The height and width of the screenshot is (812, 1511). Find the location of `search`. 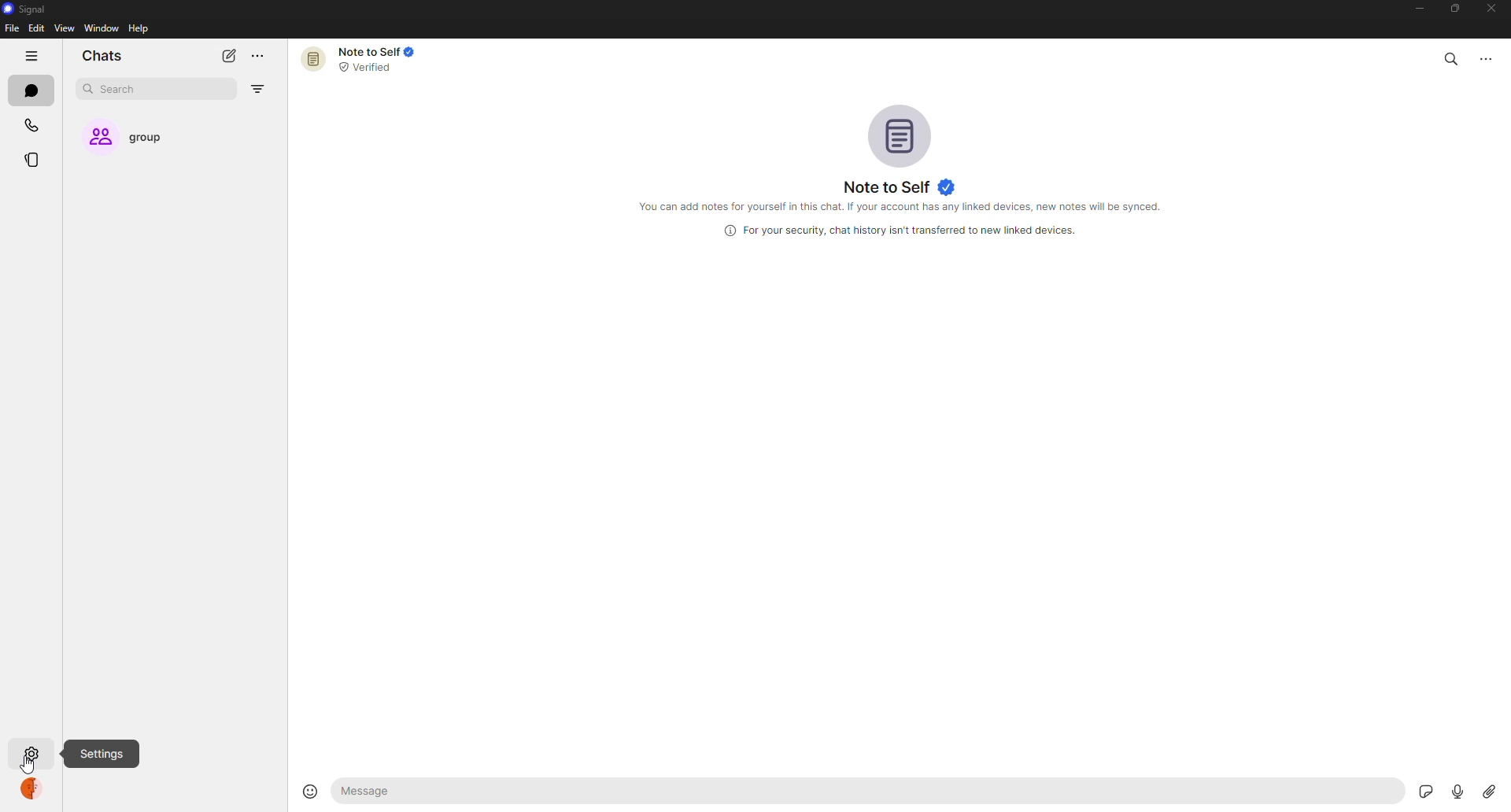

search is located at coordinates (1451, 56).